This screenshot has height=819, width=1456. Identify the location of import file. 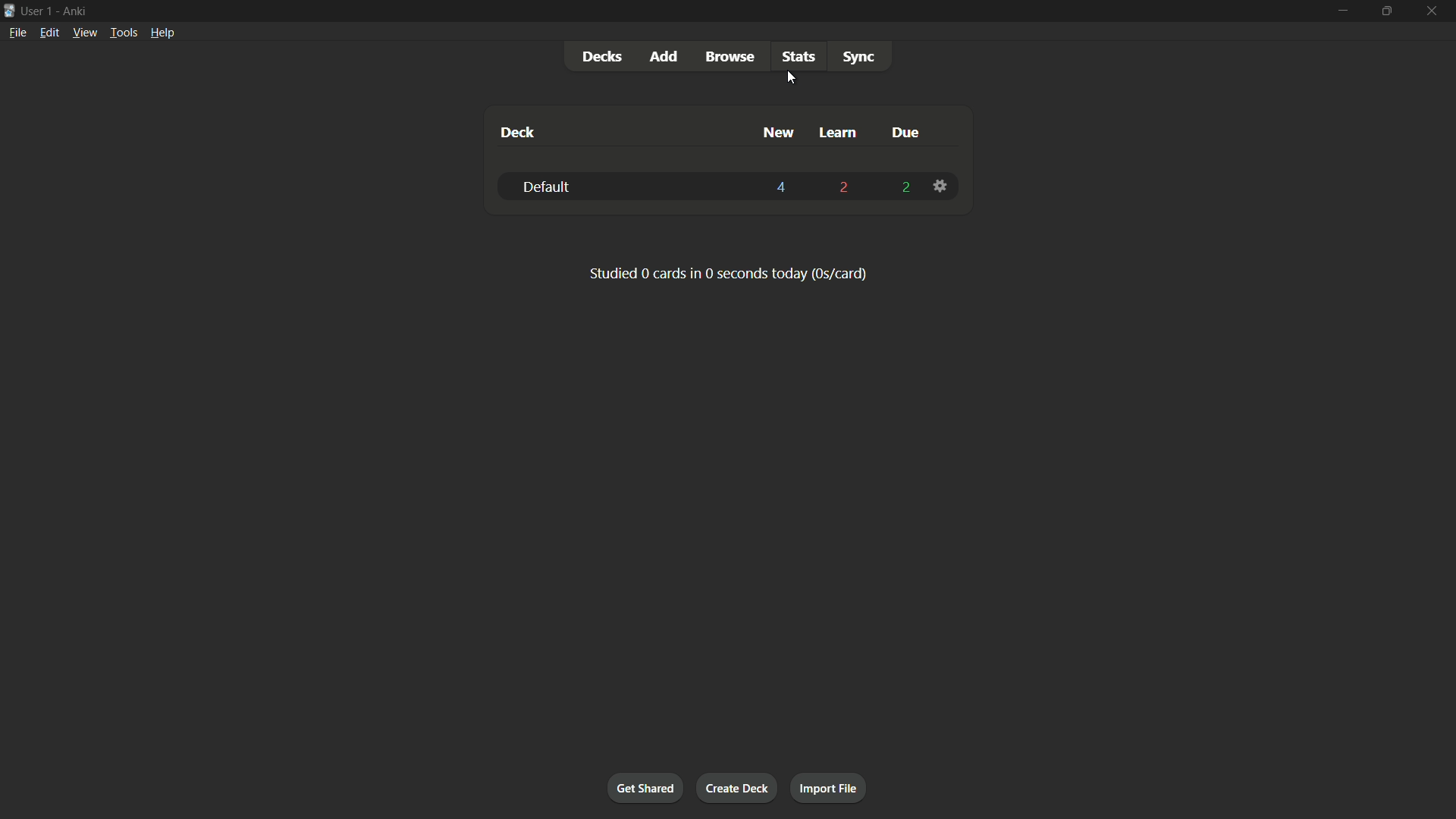
(830, 788).